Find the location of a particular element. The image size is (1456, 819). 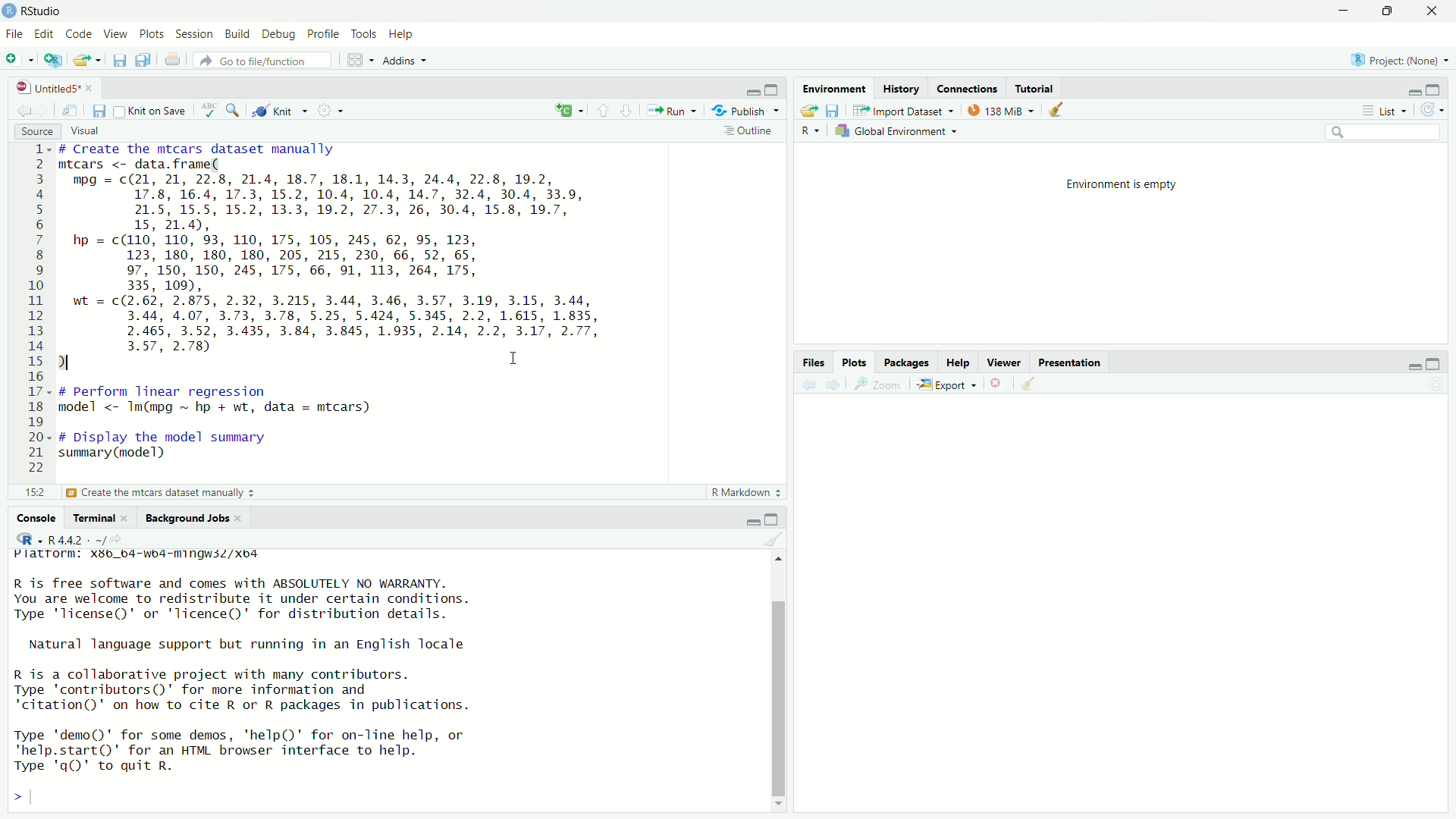

Environment is located at coordinates (833, 89).